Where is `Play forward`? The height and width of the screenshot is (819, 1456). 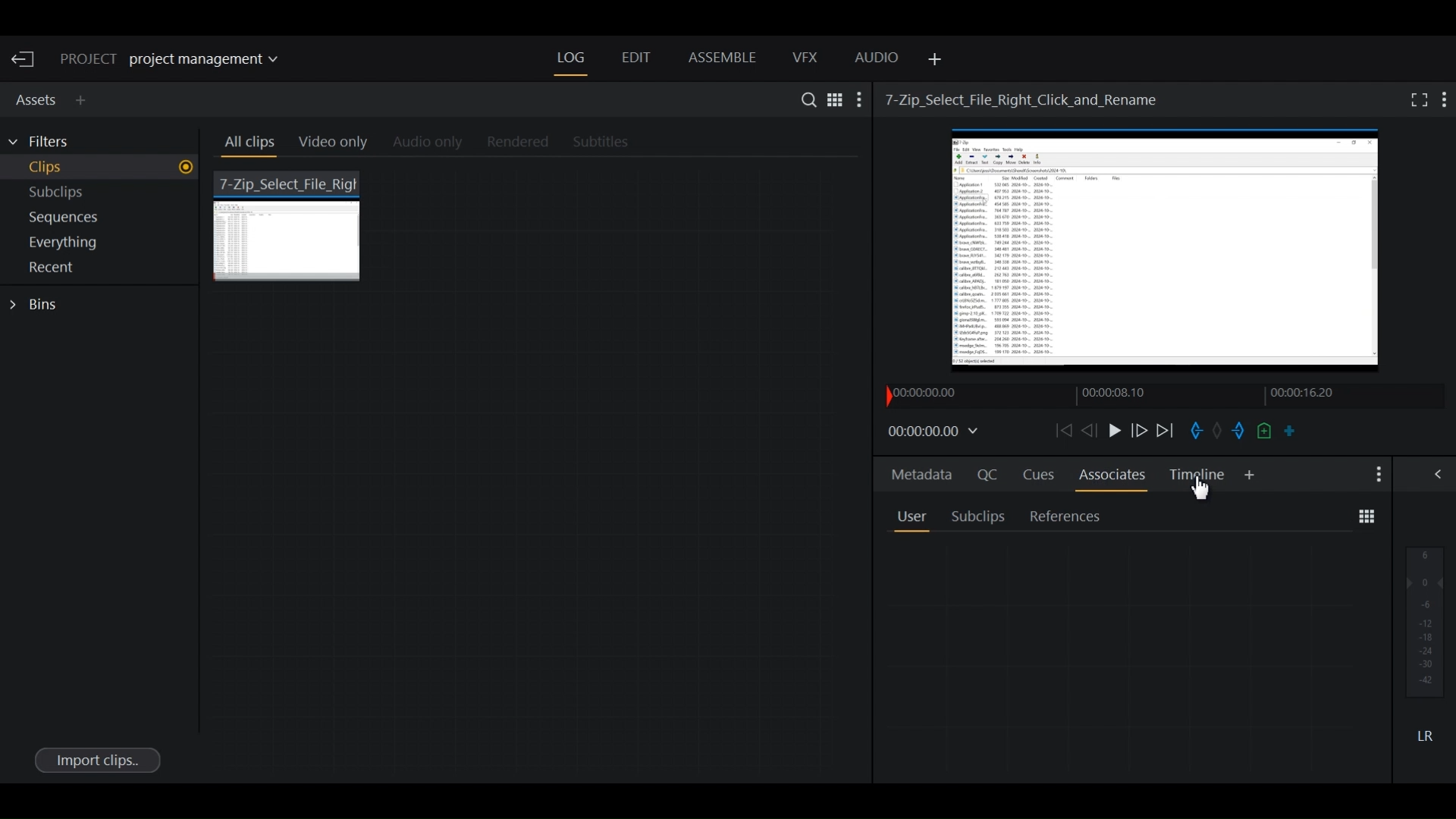
Play forward is located at coordinates (1166, 431).